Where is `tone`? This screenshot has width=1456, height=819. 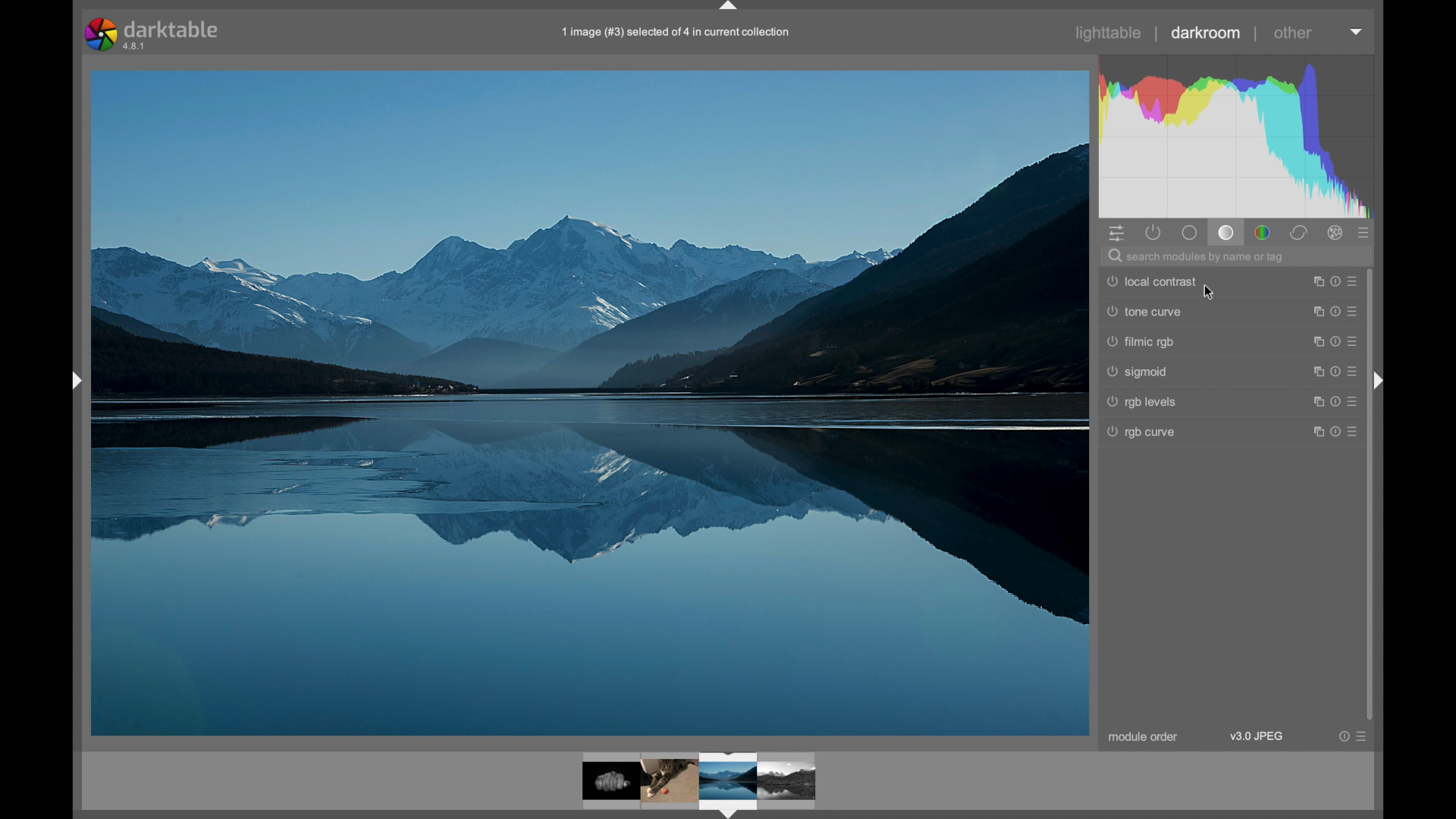
tone is located at coordinates (1225, 233).